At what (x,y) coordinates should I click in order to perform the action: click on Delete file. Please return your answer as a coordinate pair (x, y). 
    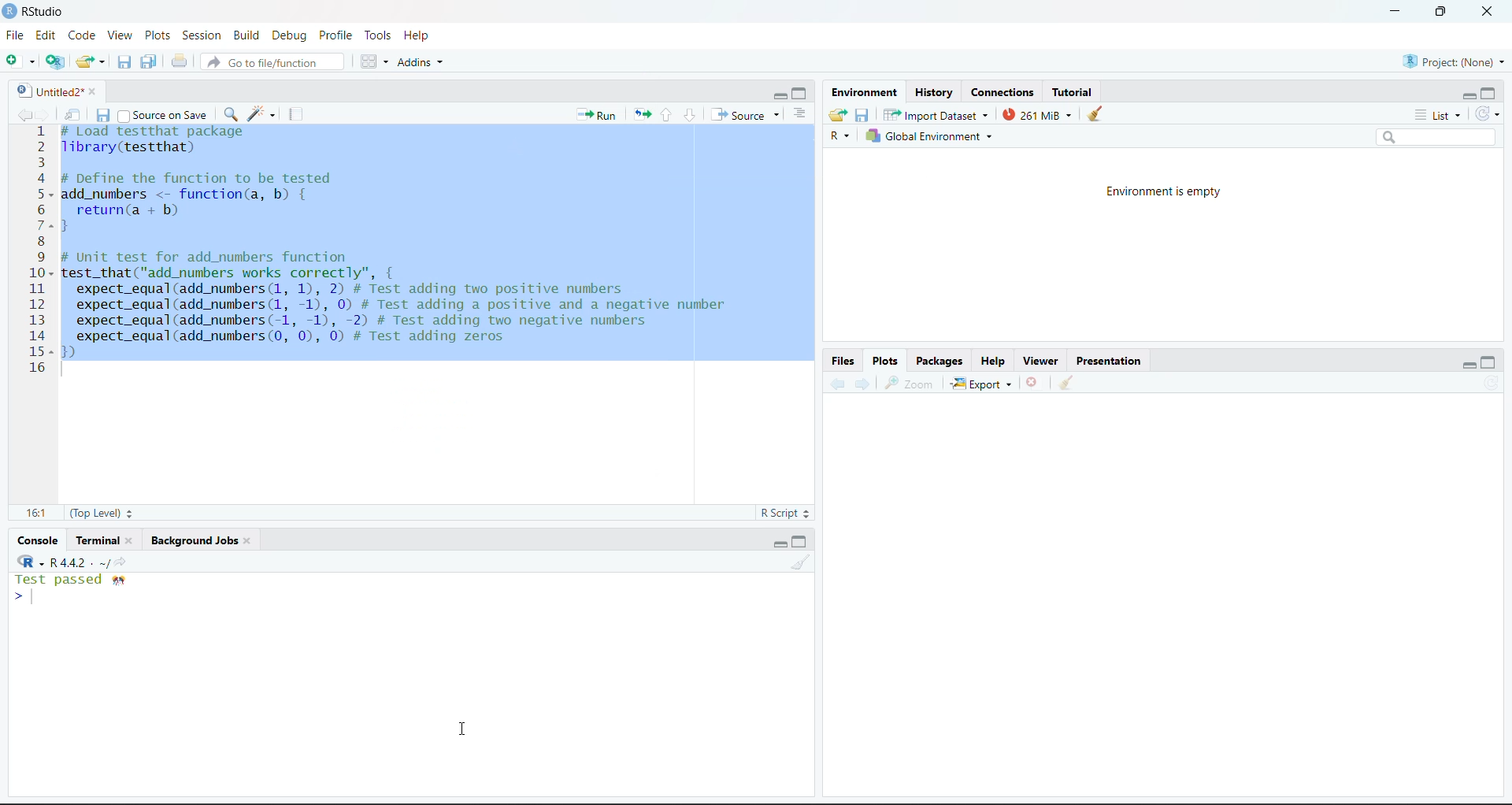
    Looking at the image, I should click on (1035, 383).